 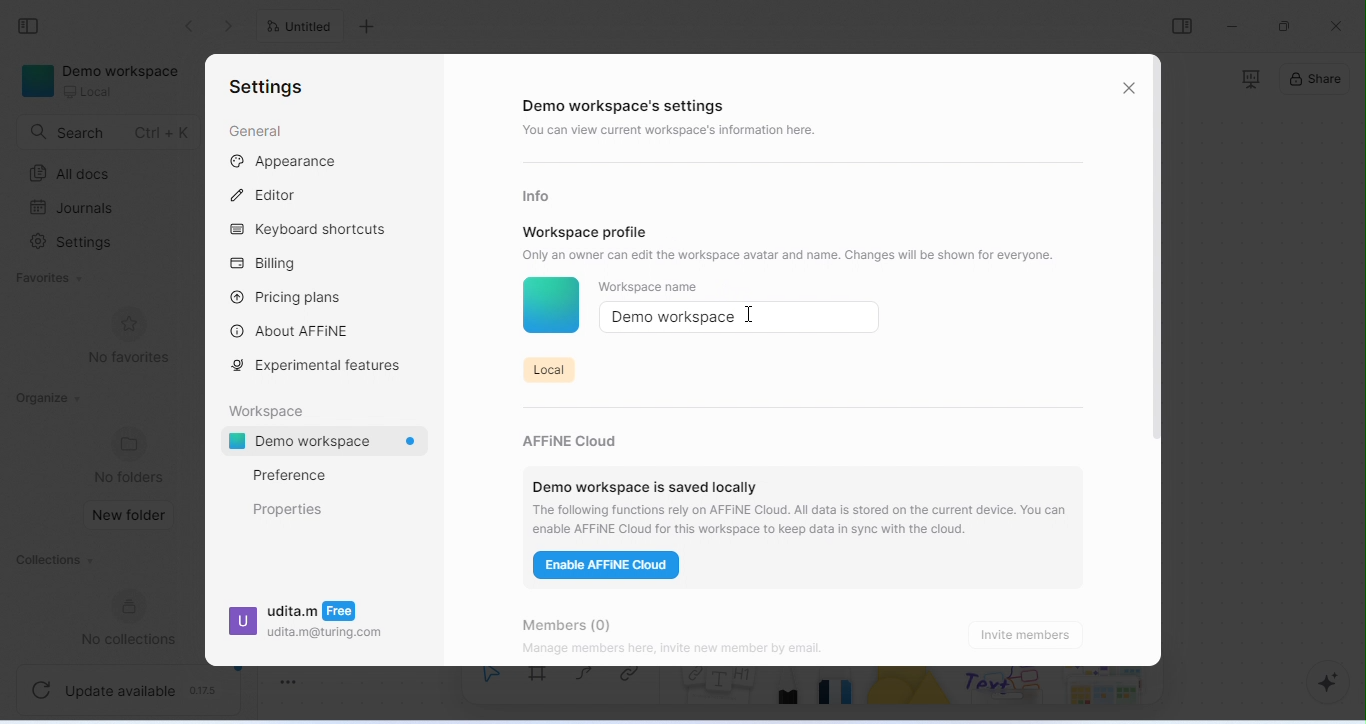 I want to click on arrows and more, so click(x=1103, y=688).